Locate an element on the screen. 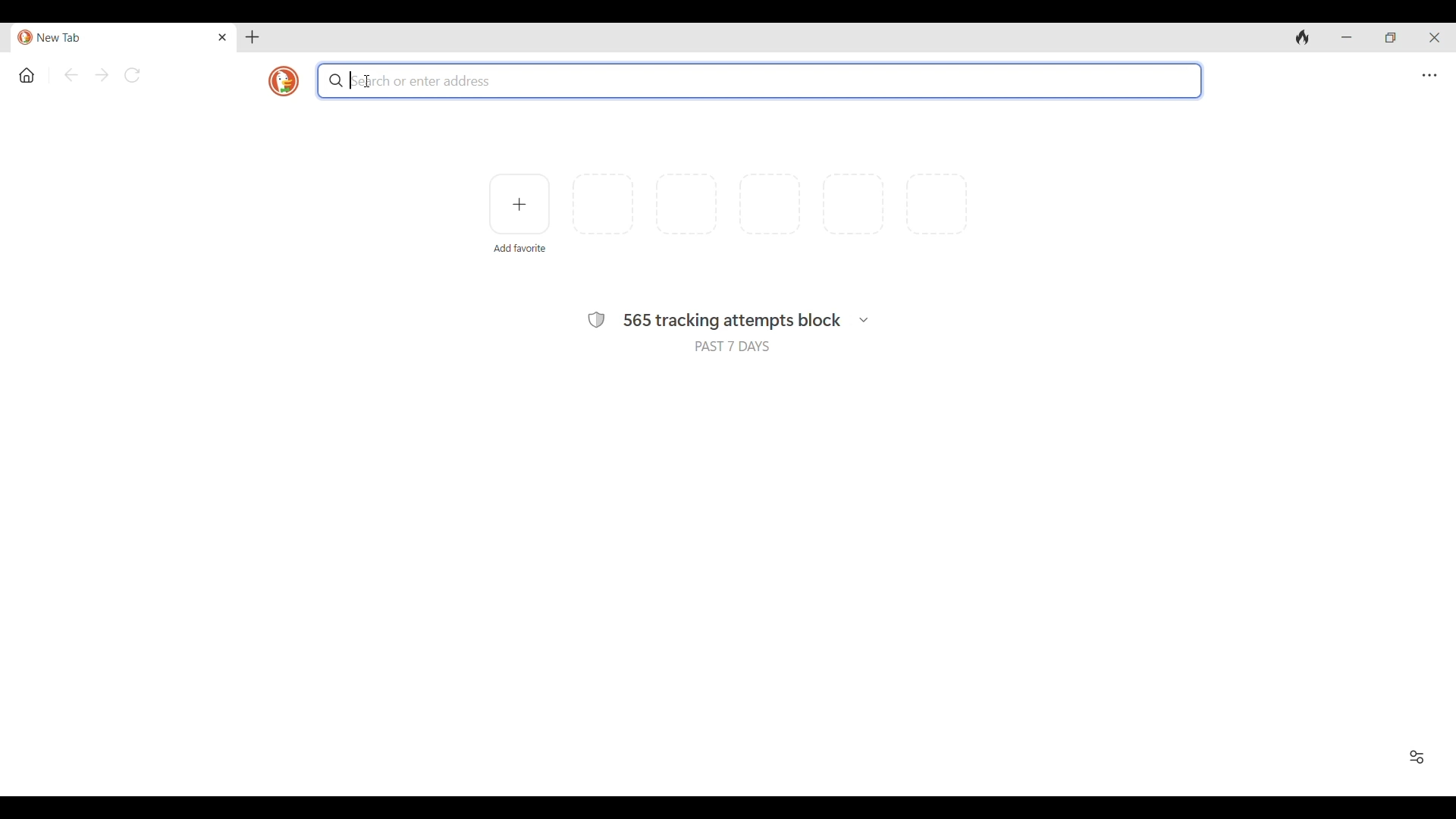  Add tab is located at coordinates (253, 37).